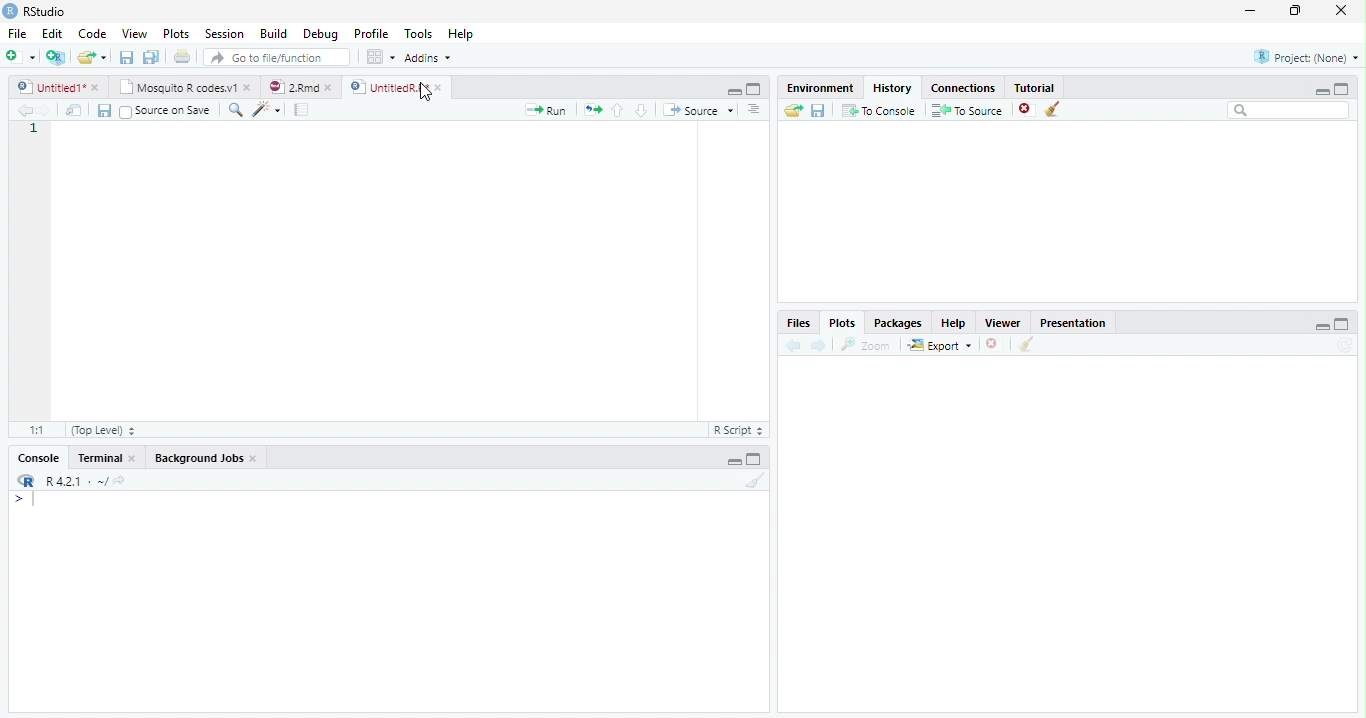 The image size is (1366, 718). Describe the element at coordinates (77, 112) in the screenshot. I see `Show in new window` at that location.